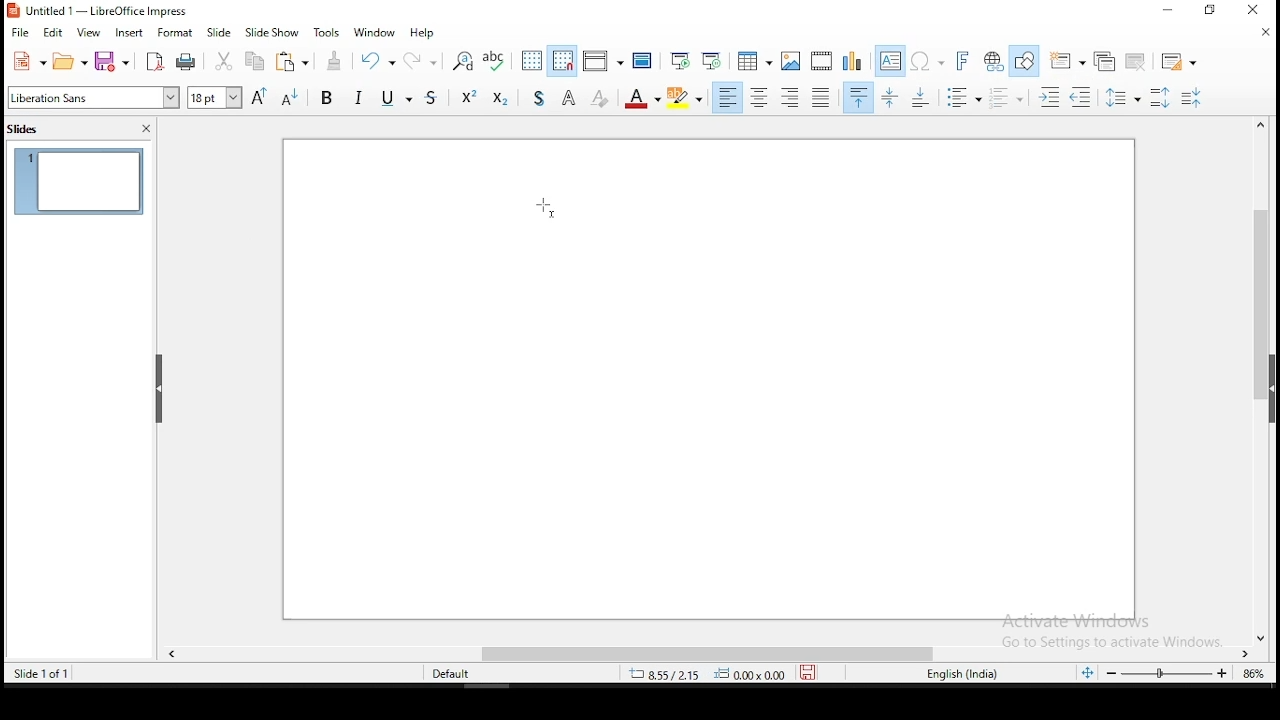 Image resolution: width=1280 pixels, height=720 pixels. What do you see at coordinates (1082, 98) in the screenshot?
I see `decrease indent` at bounding box center [1082, 98].